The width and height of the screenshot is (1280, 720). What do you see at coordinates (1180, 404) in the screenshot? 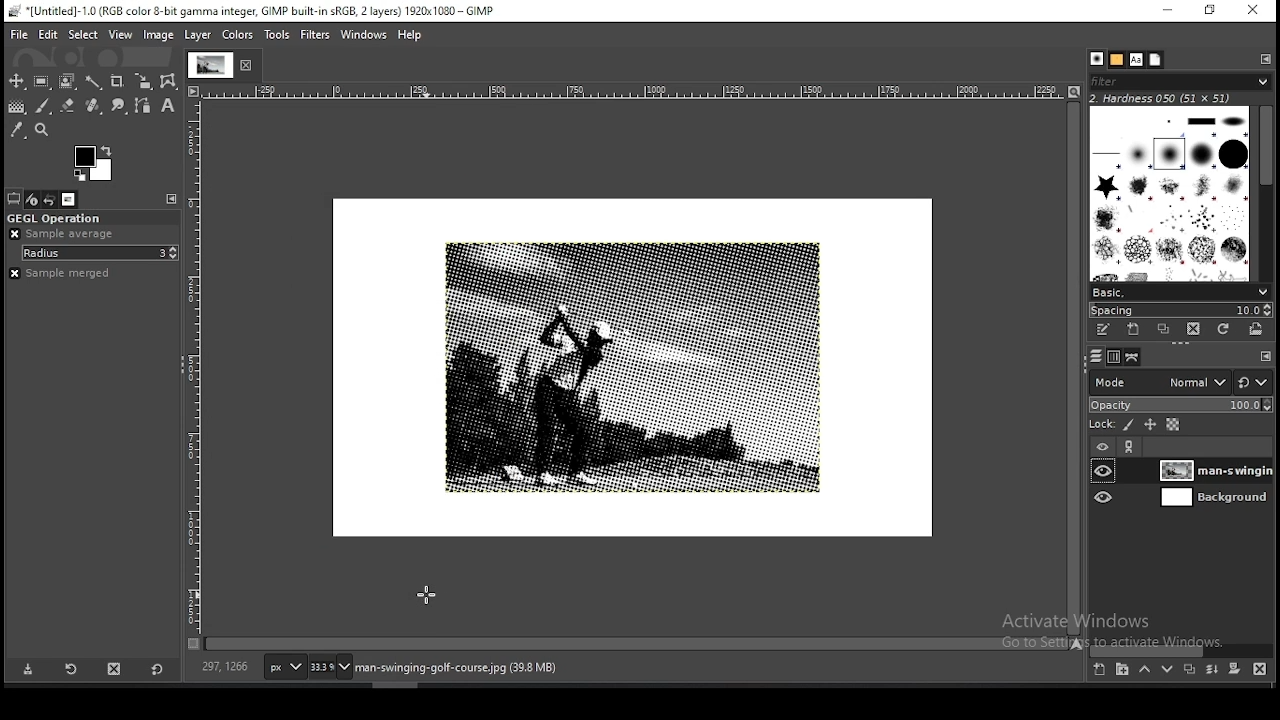
I see `opacity` at bounding box center [1180, 404].